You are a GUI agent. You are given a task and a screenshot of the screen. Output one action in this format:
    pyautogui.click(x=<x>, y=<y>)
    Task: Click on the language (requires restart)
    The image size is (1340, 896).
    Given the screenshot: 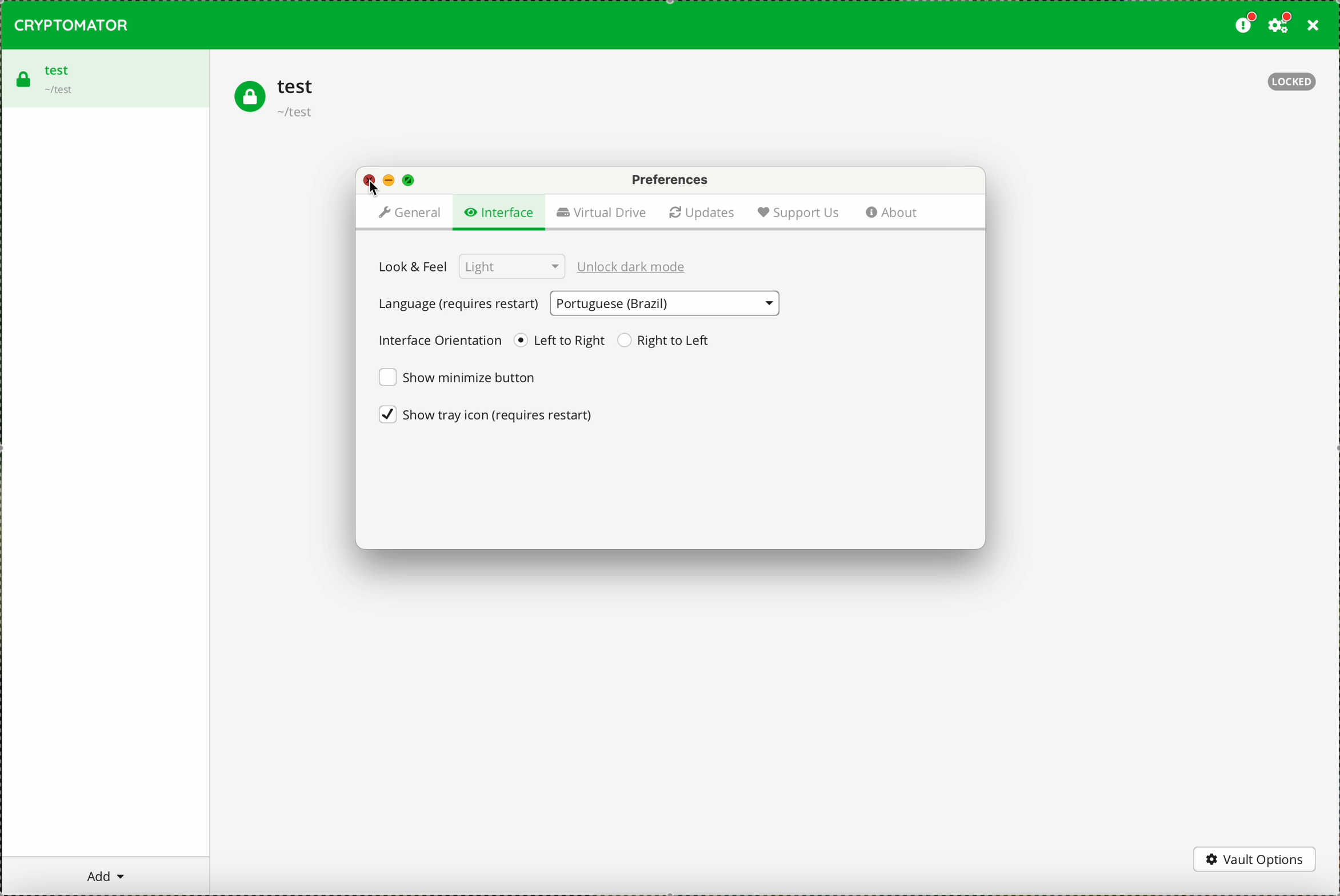 What is the action you would take?
    pyautogui.click(x=457, y=307)
    